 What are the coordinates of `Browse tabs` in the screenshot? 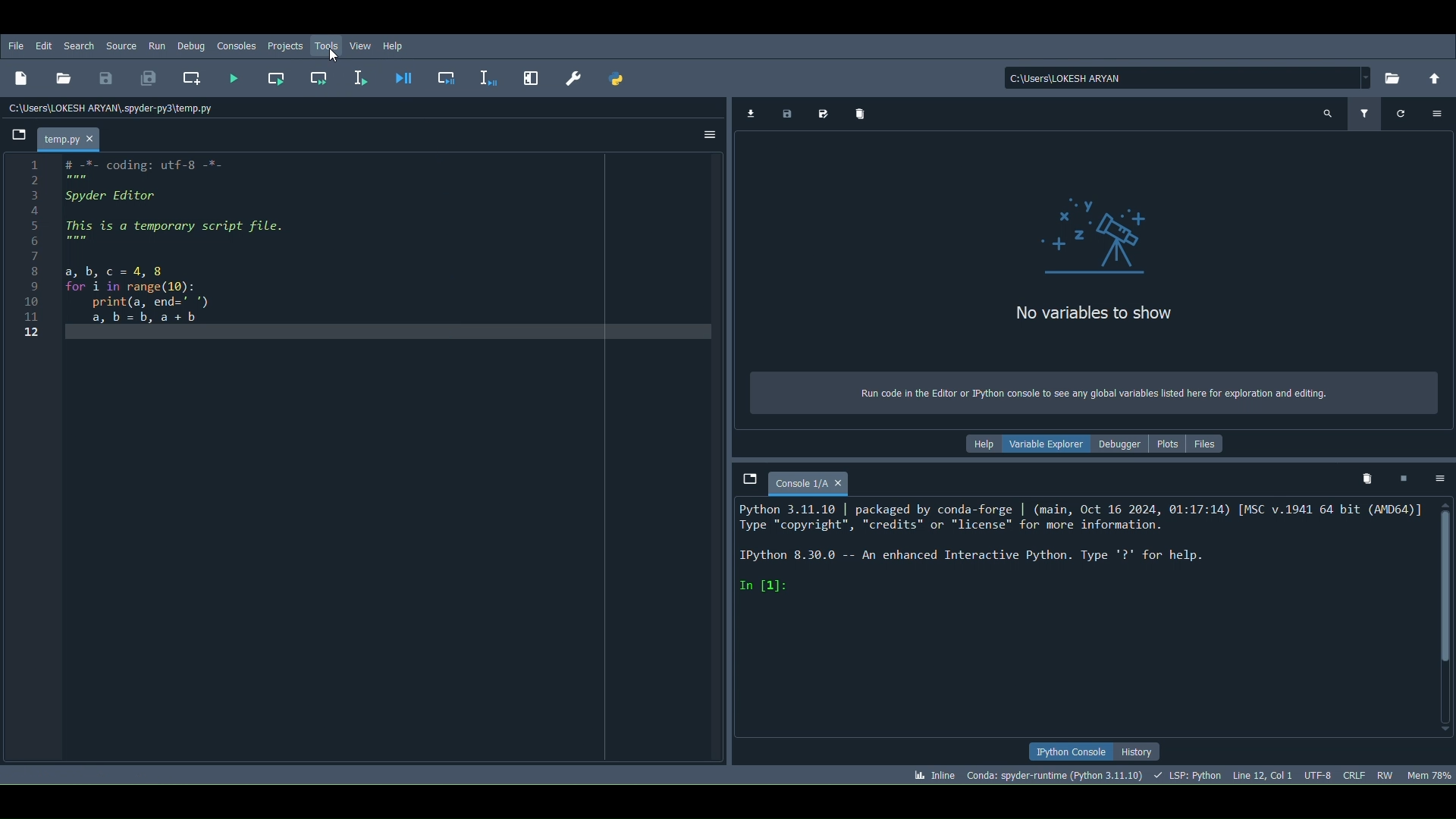 It's located at (16, 138).